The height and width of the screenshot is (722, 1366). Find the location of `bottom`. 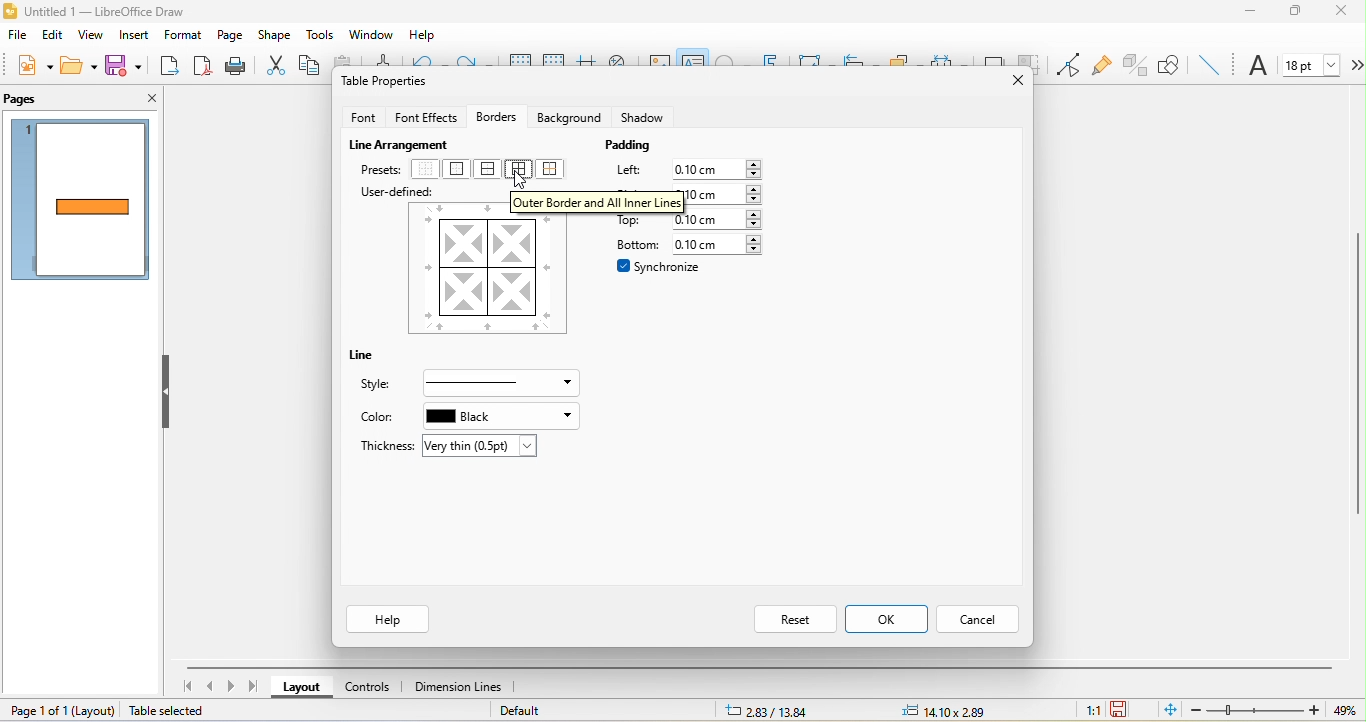

bottom is located at coordinates (631, 243).